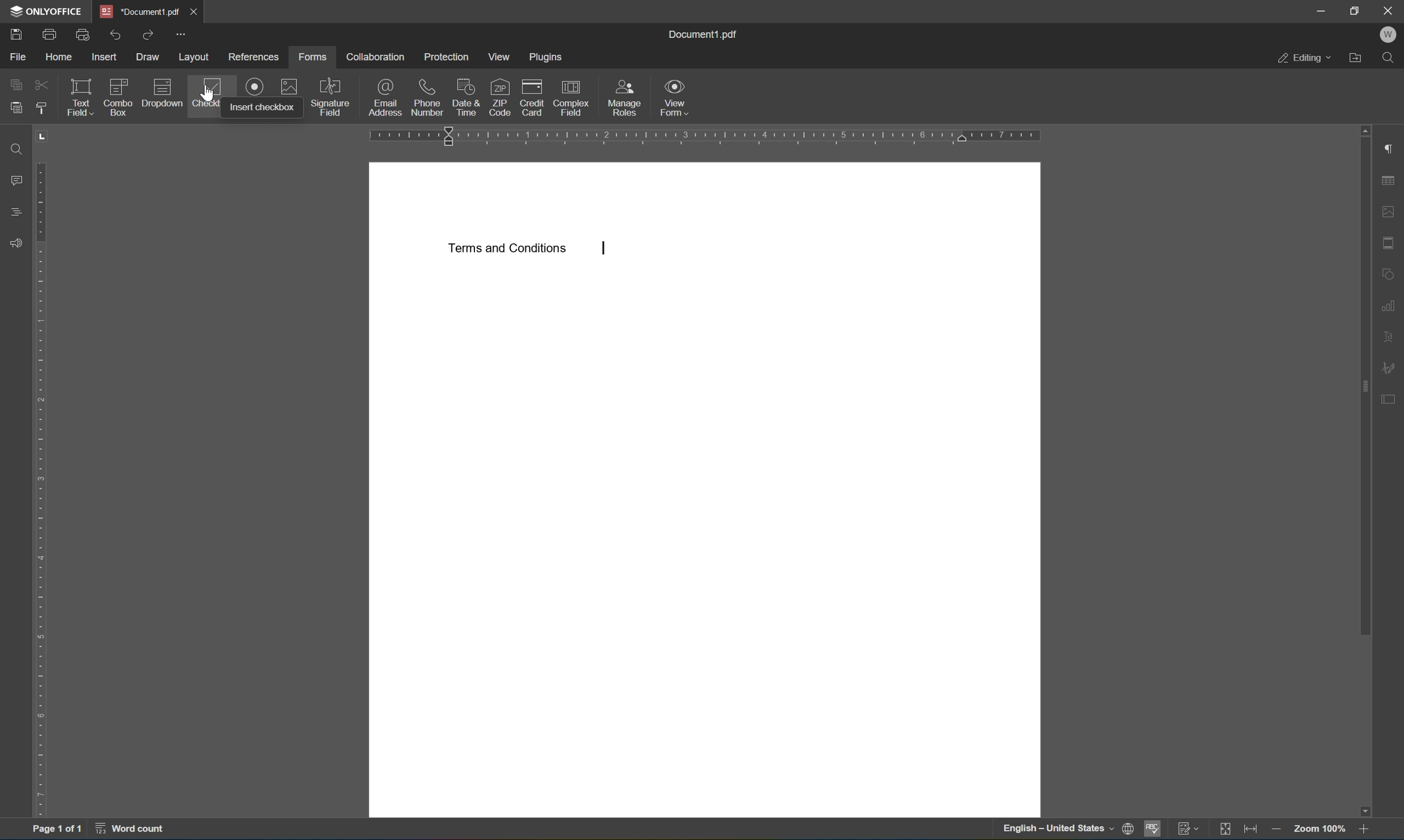  What do you see at coordinates (375, 57) in the screenshot?
I see `collaboration` at bounding box center [375, 57].